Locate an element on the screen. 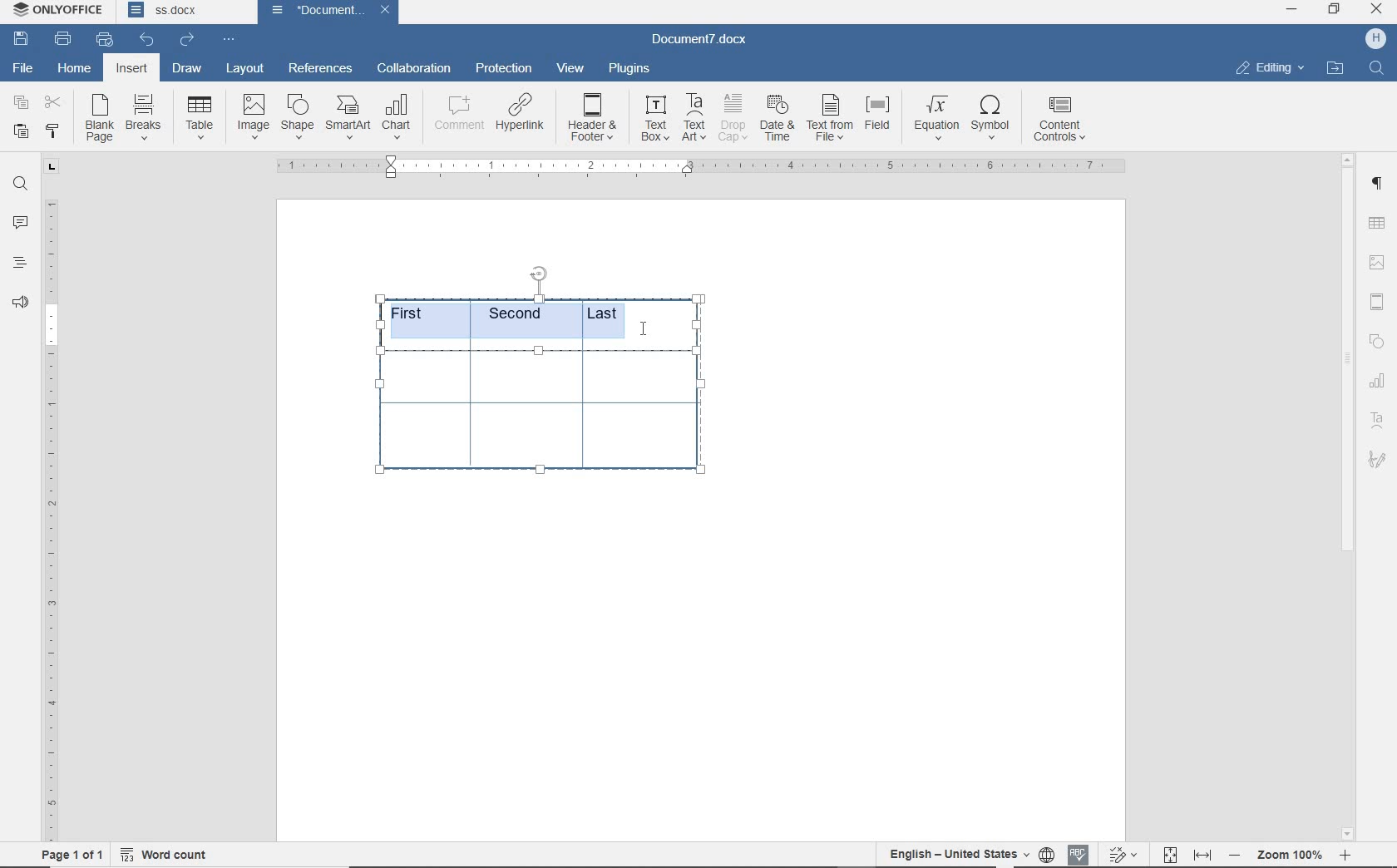 The width and height of the screenshot is (1397, 868). text box is located at coordinates (654, 118).